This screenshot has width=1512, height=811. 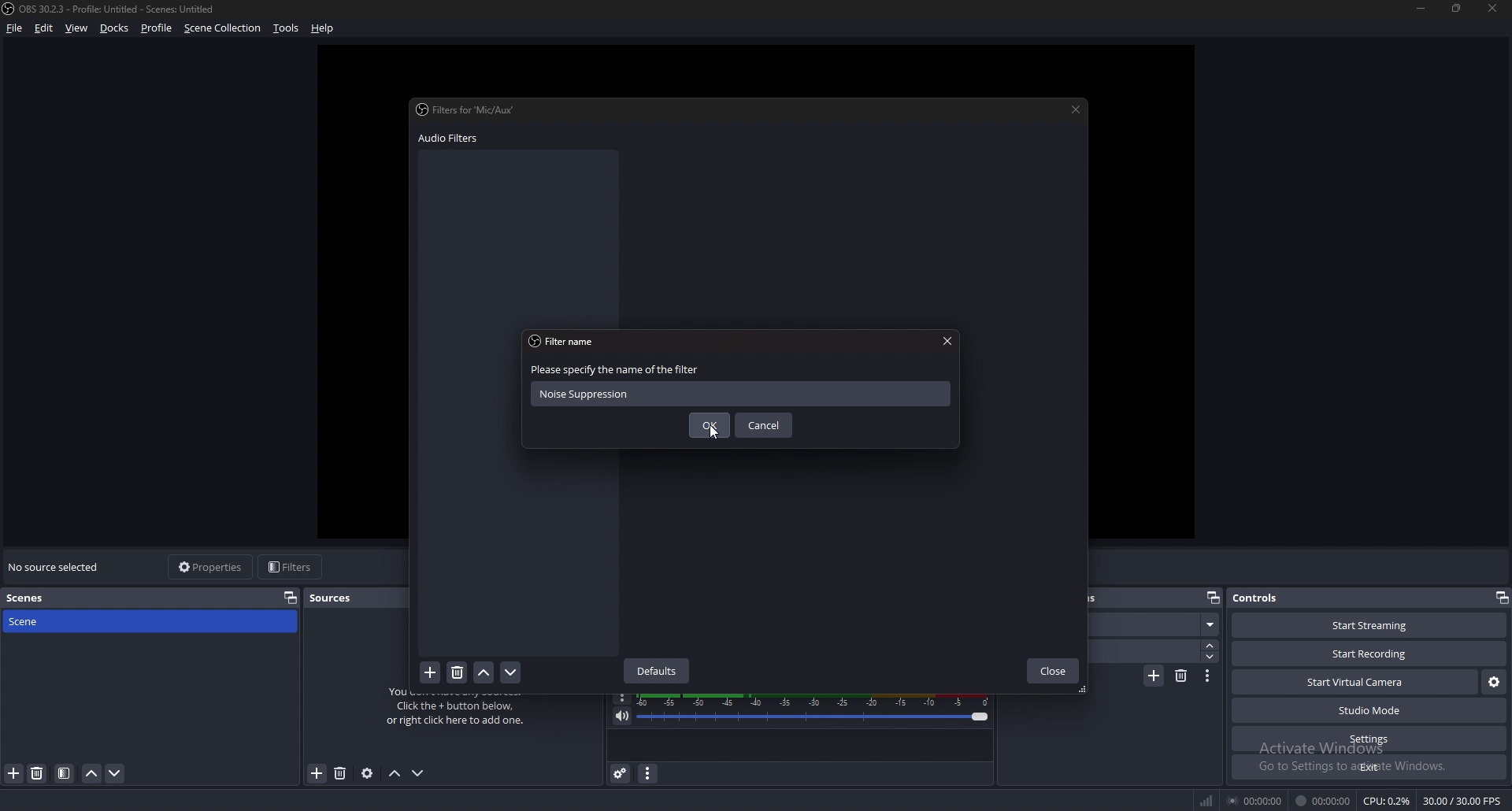 What do you see at coordinates (1459, 8) in the screenshot?
I see `resize` at bounding box center [1459, 8].